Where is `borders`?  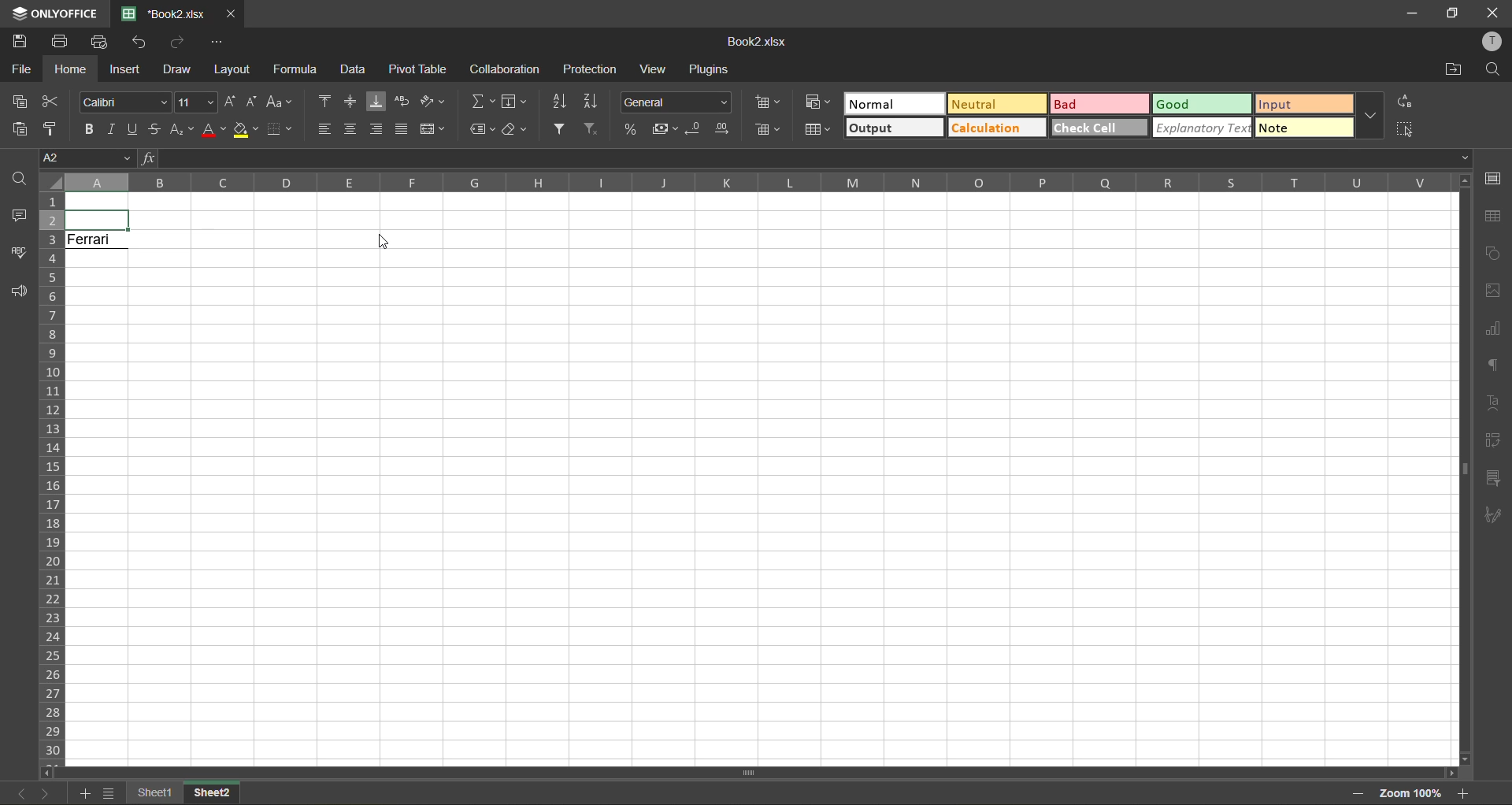 borders is located at coordinates (279, 131).